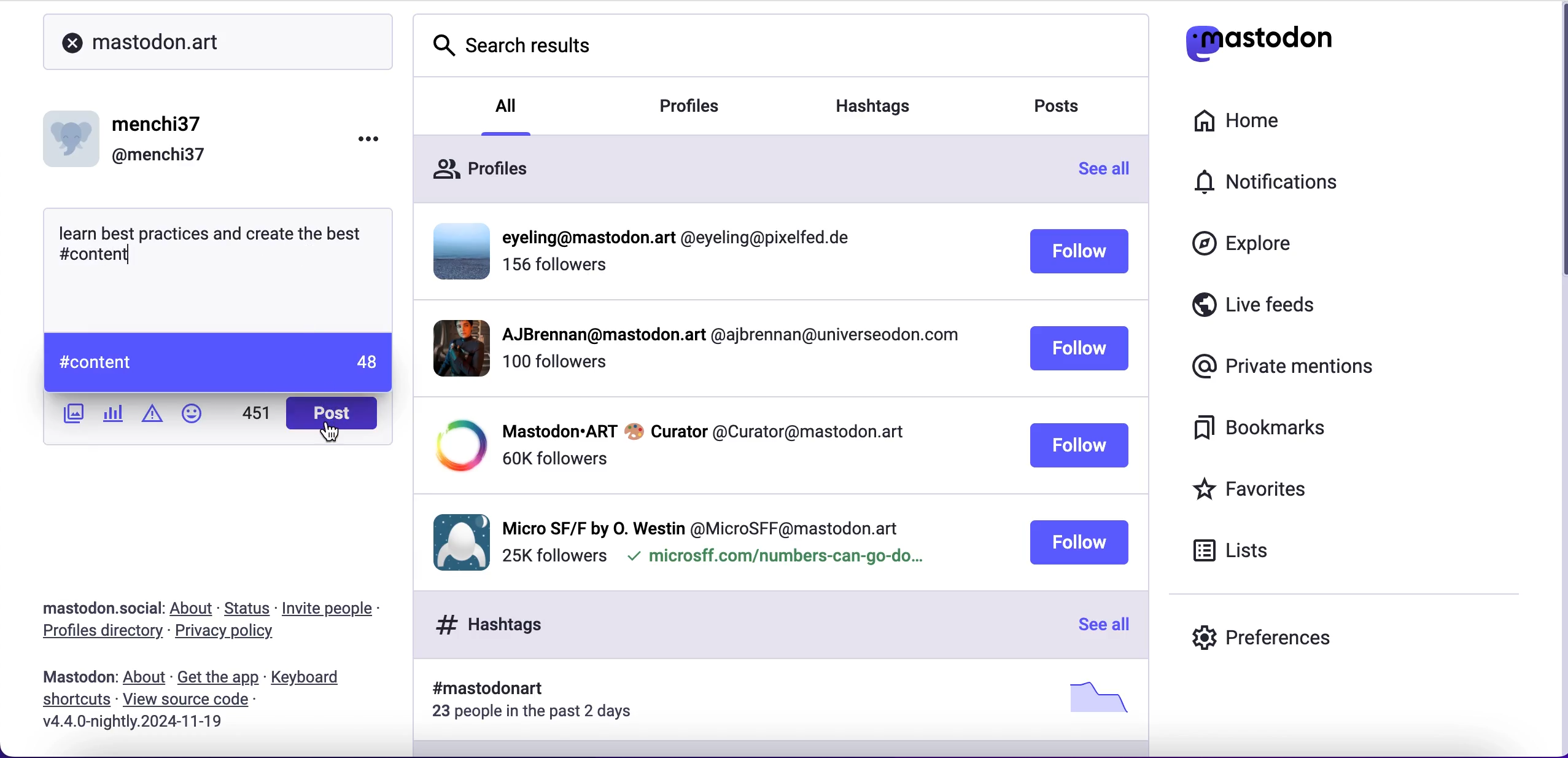  I want to click on display picture, so click(456, 446).